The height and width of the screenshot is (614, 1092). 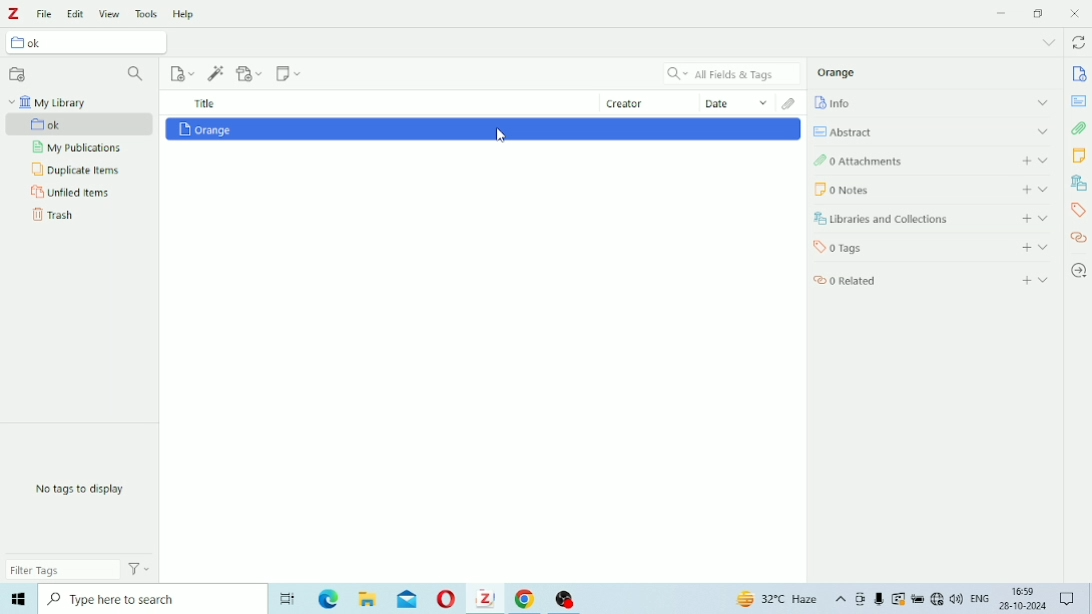 What do you see at coordinates (841, 600) in the screenshot?
I see `Show hidden icons` at bounding box center [841, 600].